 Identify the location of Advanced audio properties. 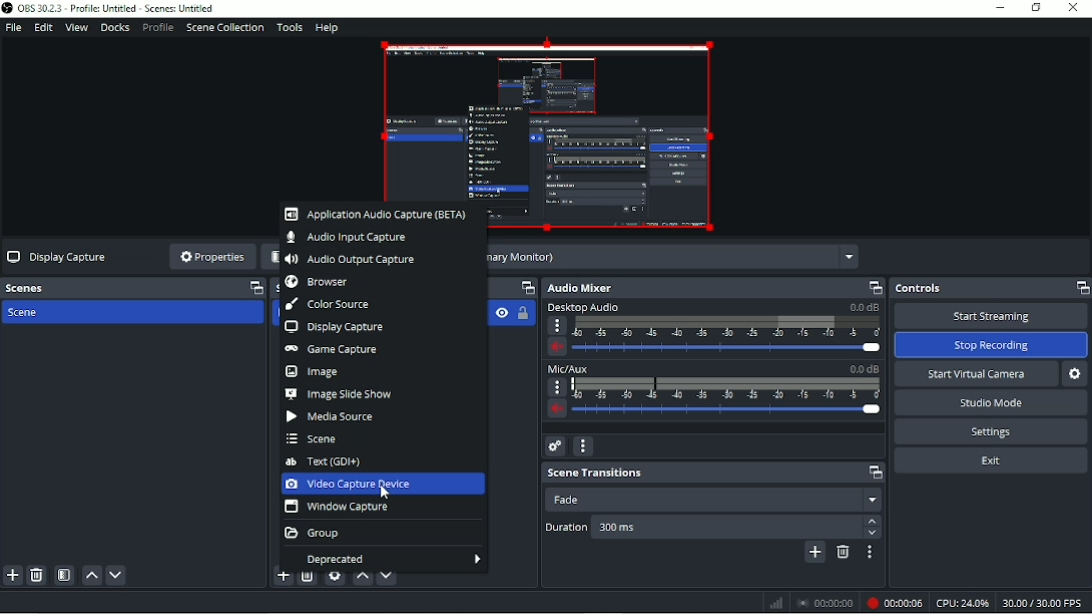
(556, 446).